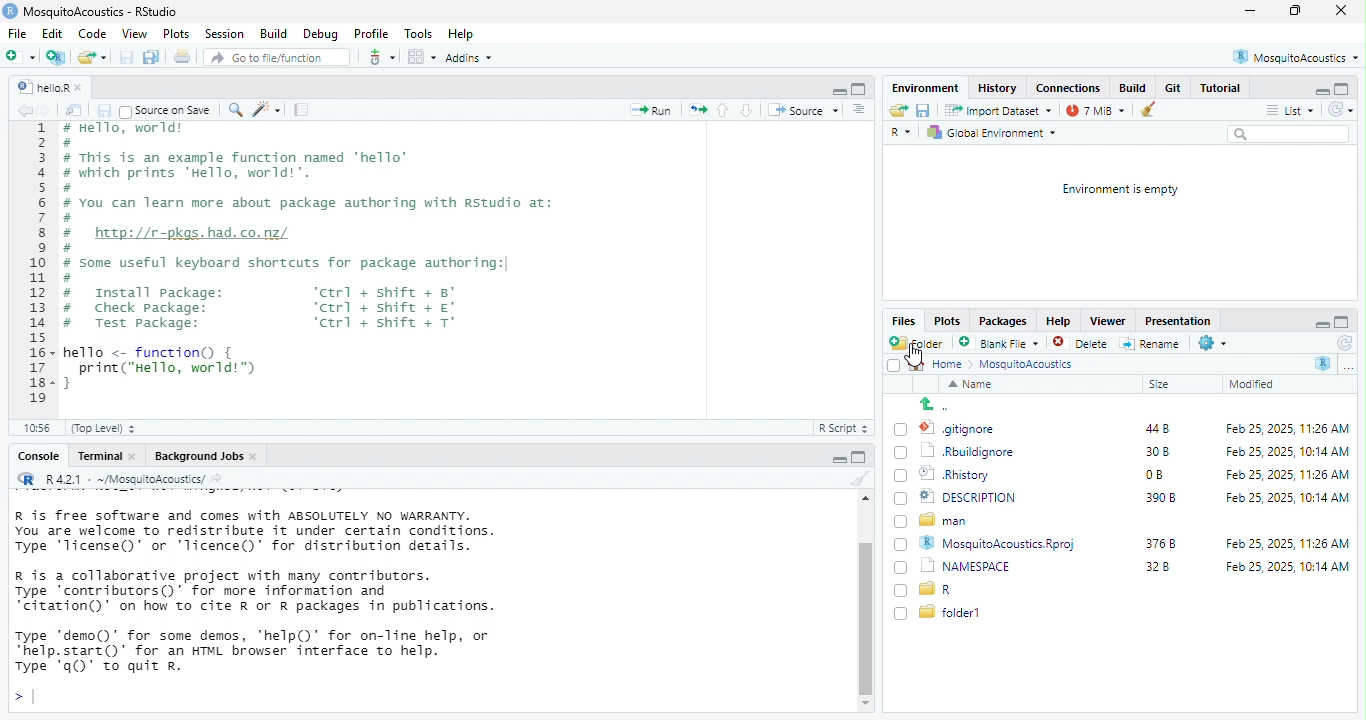 The height and width of the screenshot is (720, 1366). Describe the element at coordinates (958, 616) in the screenshot. I see `folder1` at that location.